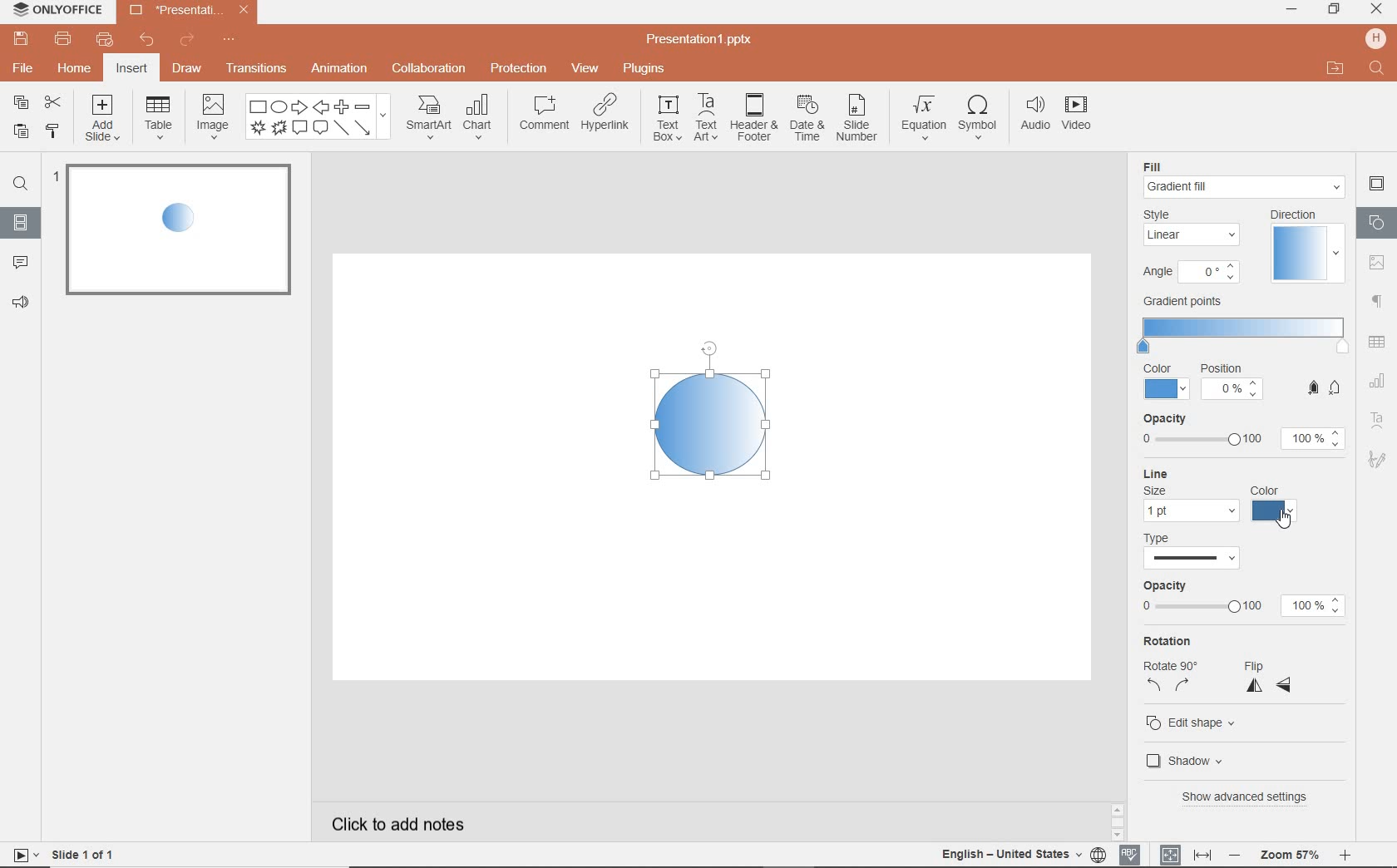  I want to click on text art, so click(1378, 420).